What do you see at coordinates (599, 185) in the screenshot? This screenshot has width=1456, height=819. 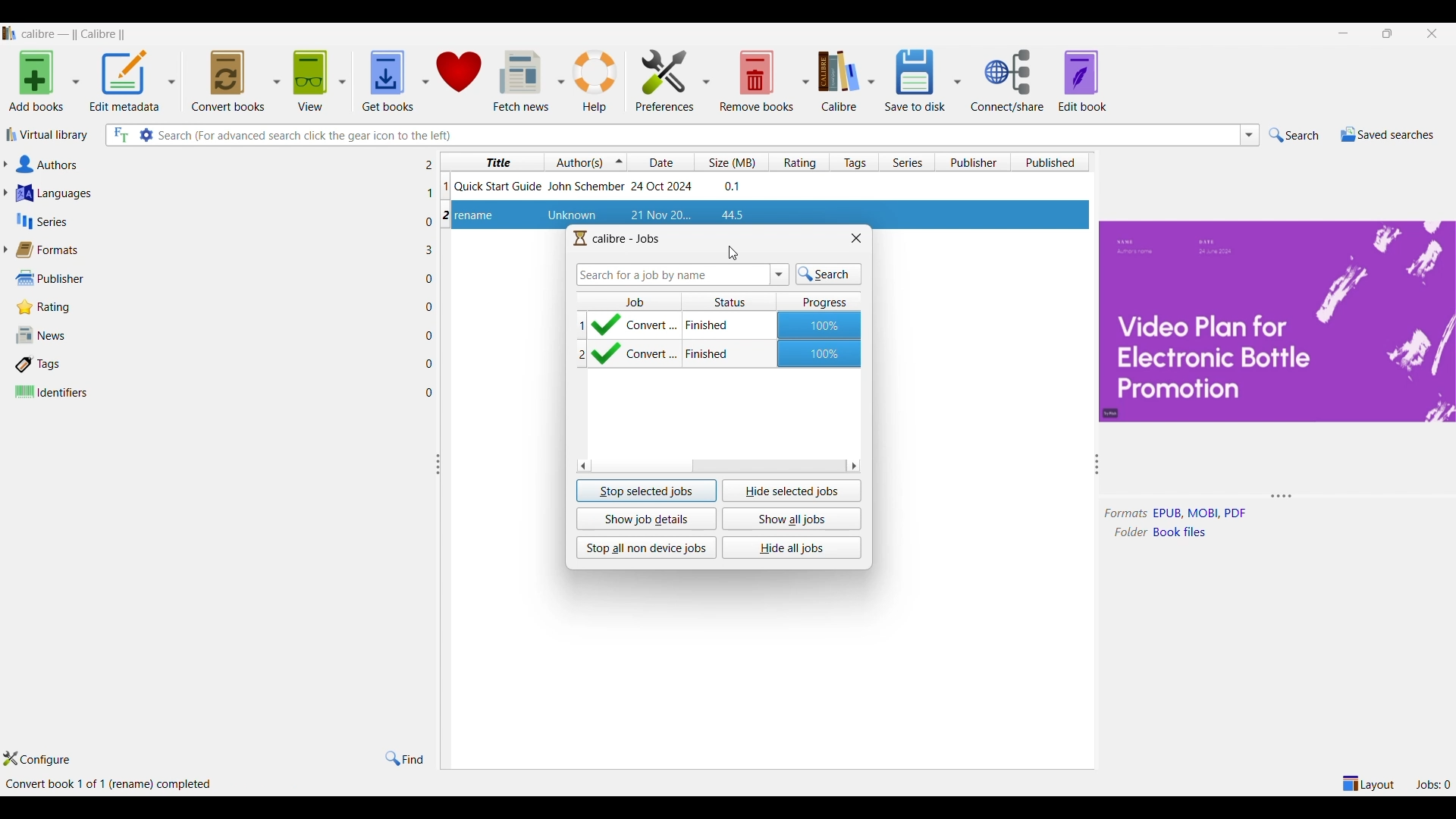 I see `Book: Quick Start Guide` at bounding box center [599, 185].